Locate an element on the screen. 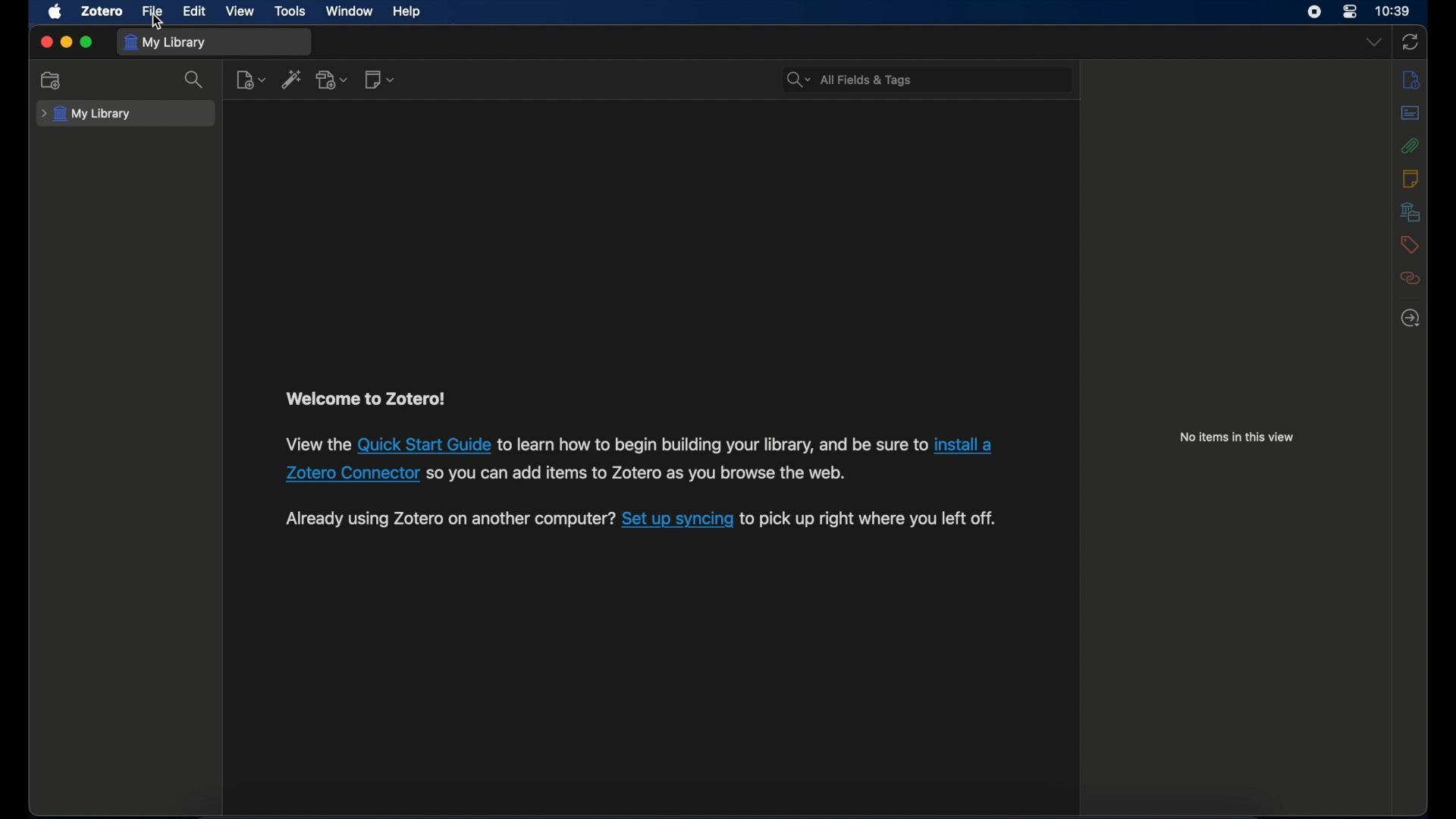 This screenshot has width=1456, height=819. Already using Zotero on another computer? is located at coordinates (447, 519).